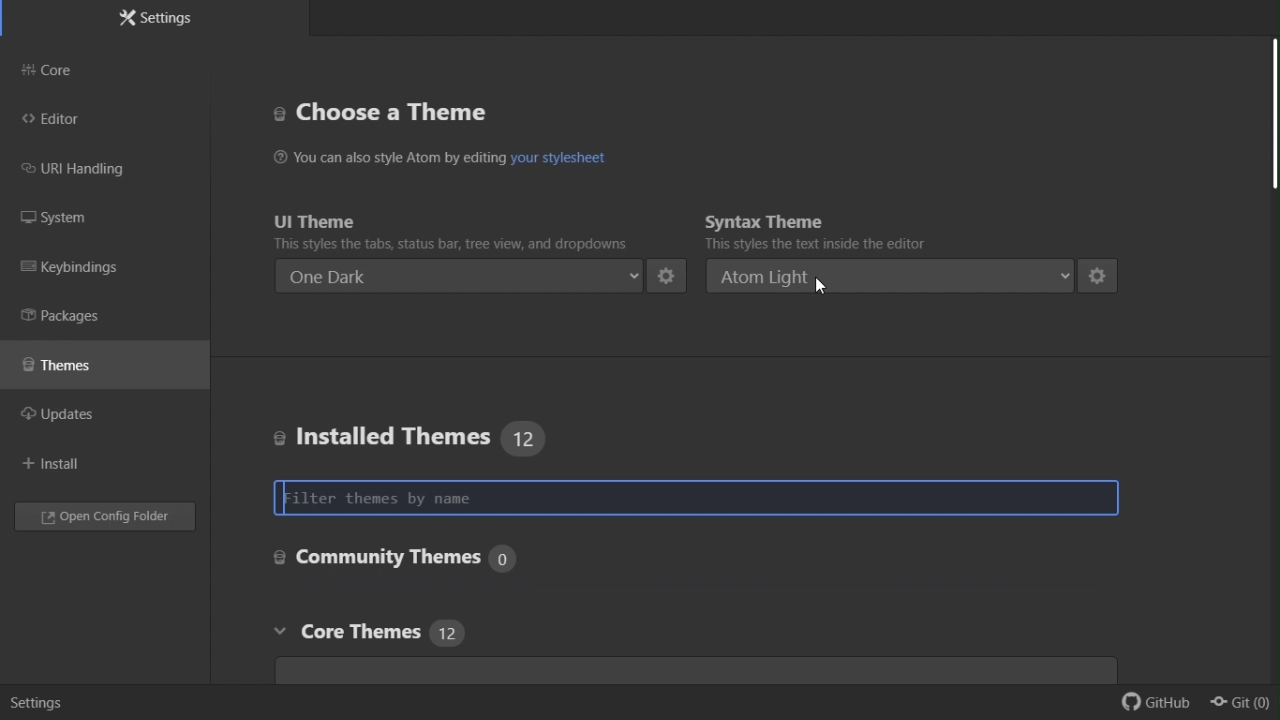  Describe the element at coordinates (458, 276) in the screenshot. I see `One dark` at that location.